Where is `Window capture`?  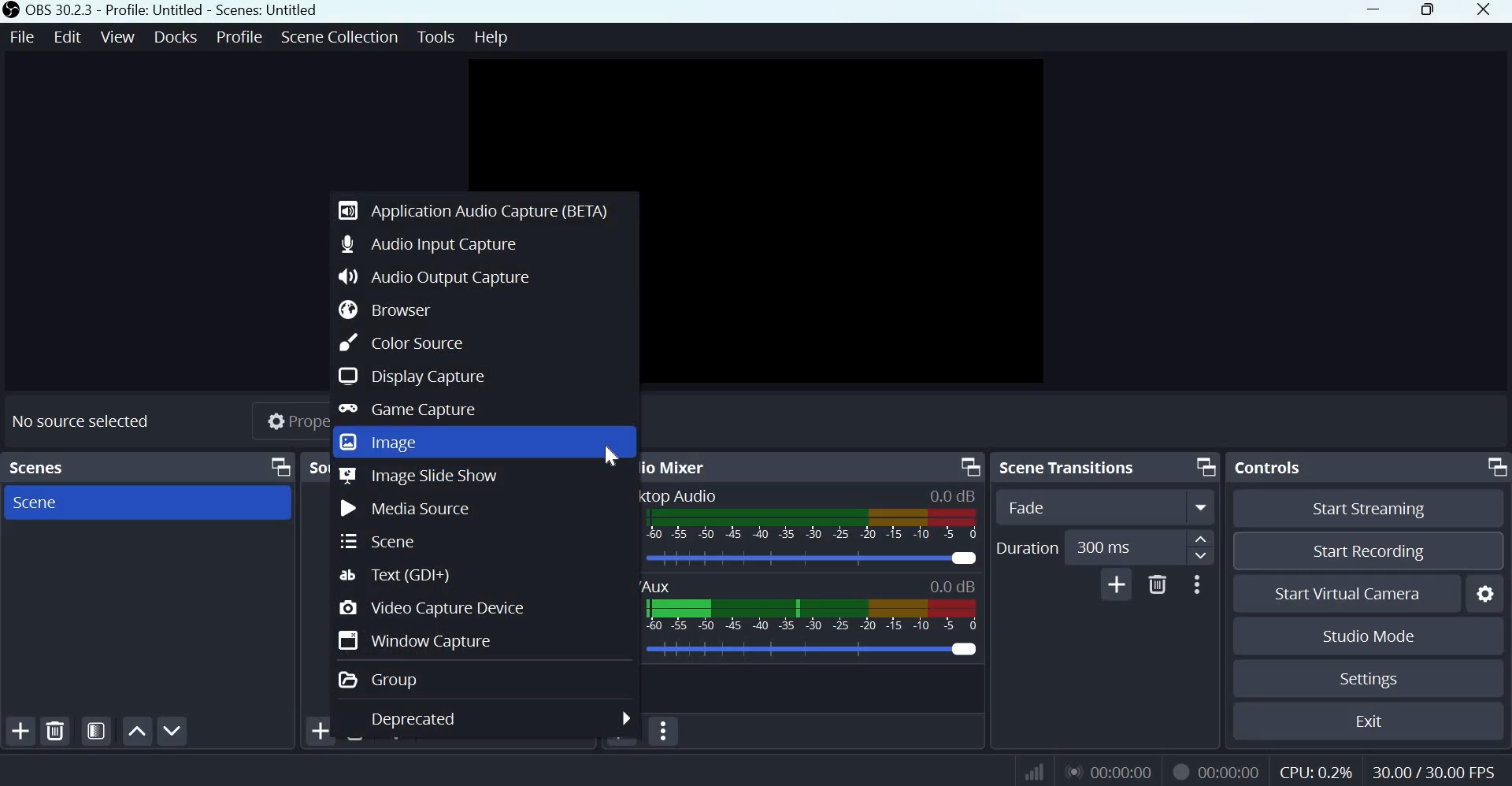
Window capture is located at coordinates (423, 640).